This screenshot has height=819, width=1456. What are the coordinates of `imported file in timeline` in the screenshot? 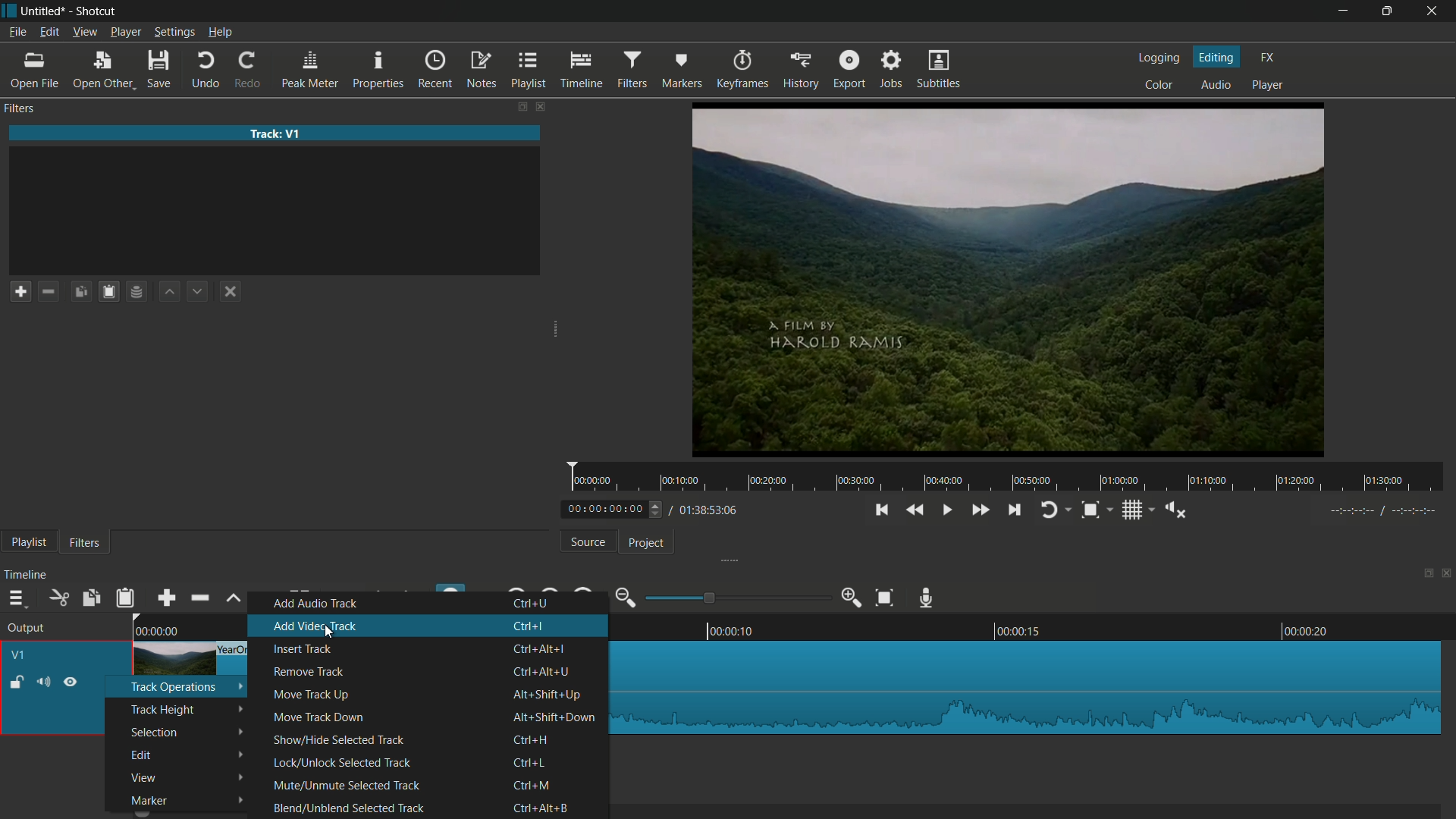 It's located at (1029, 686).